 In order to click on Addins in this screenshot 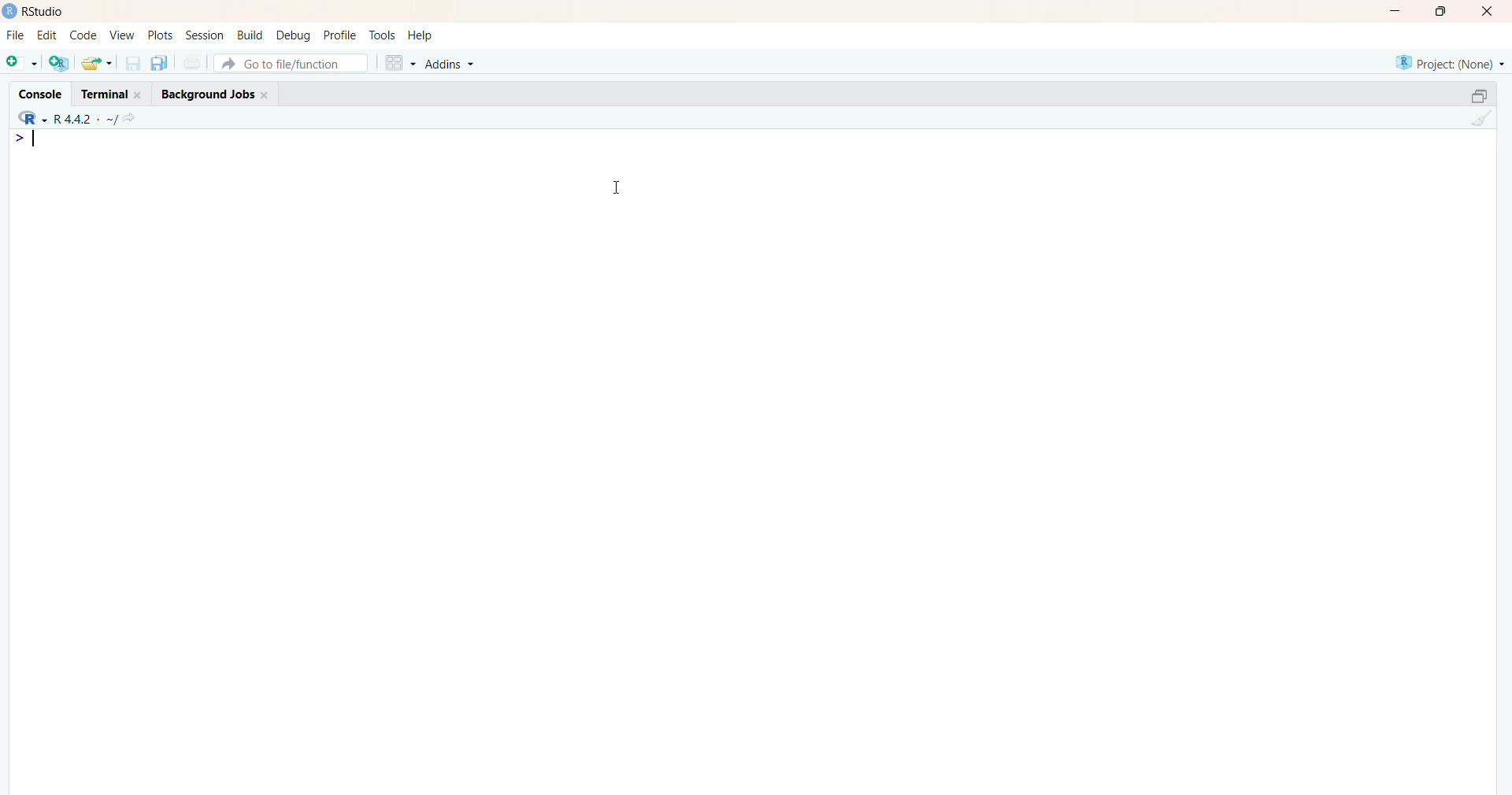, I will do `click(453, 65)`.